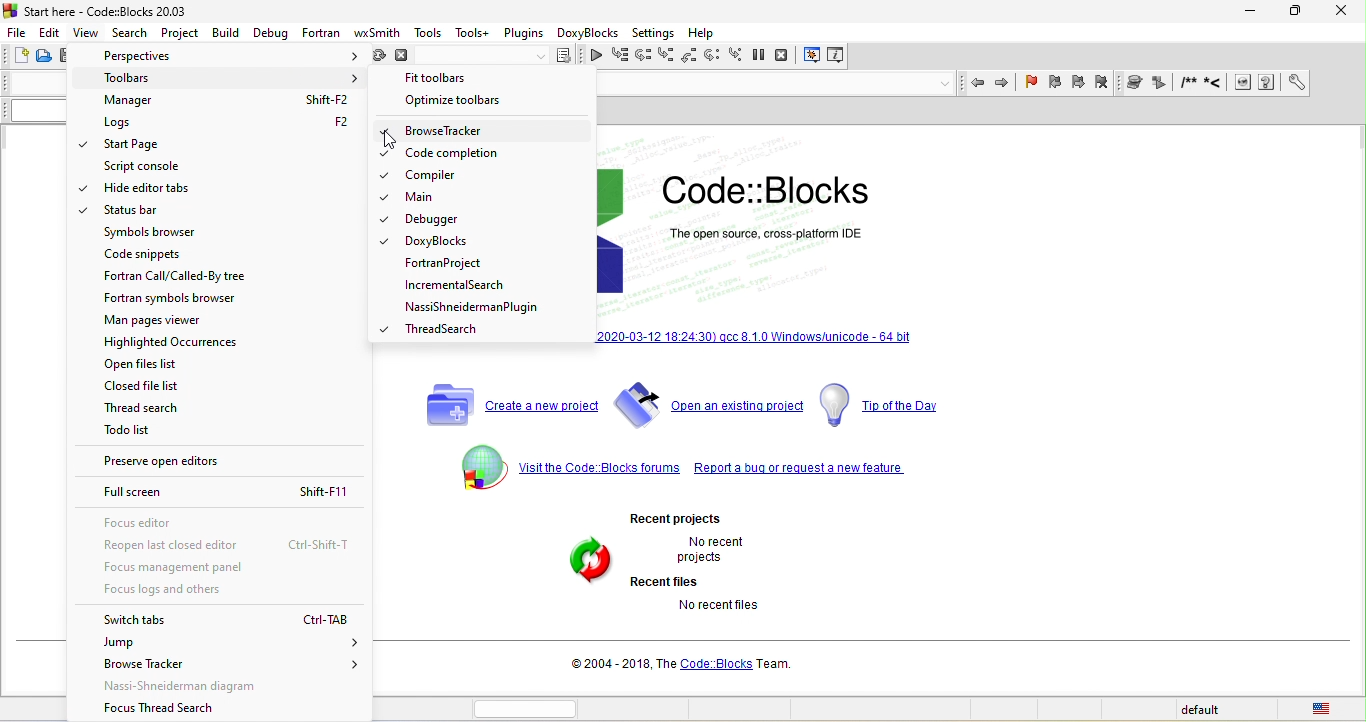  Describe the element at coordinates (647, 55) in the screenshot. I see `next line` at that location.